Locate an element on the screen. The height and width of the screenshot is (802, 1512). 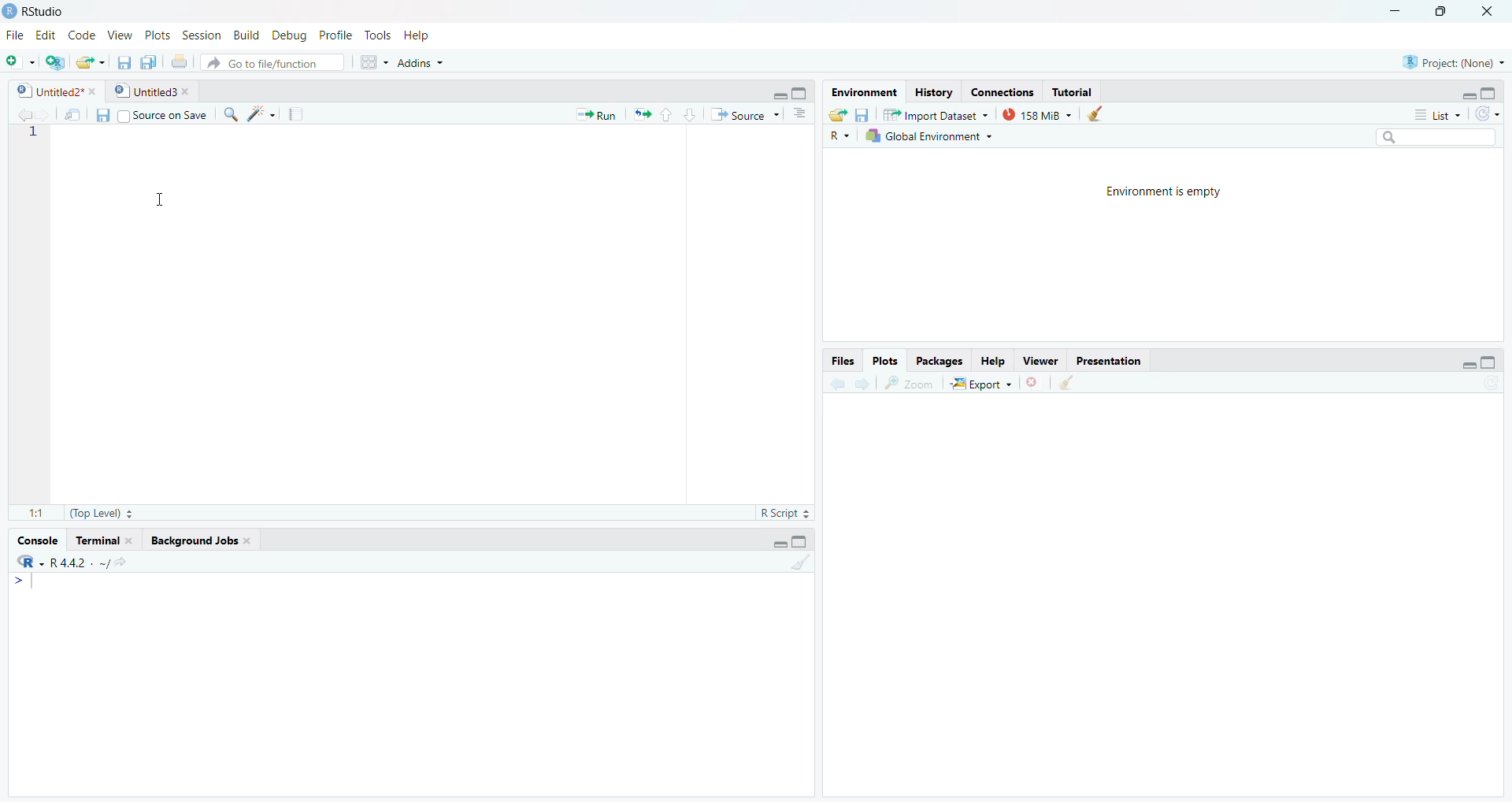
R Script 3 is located at coordinates (788, 512).